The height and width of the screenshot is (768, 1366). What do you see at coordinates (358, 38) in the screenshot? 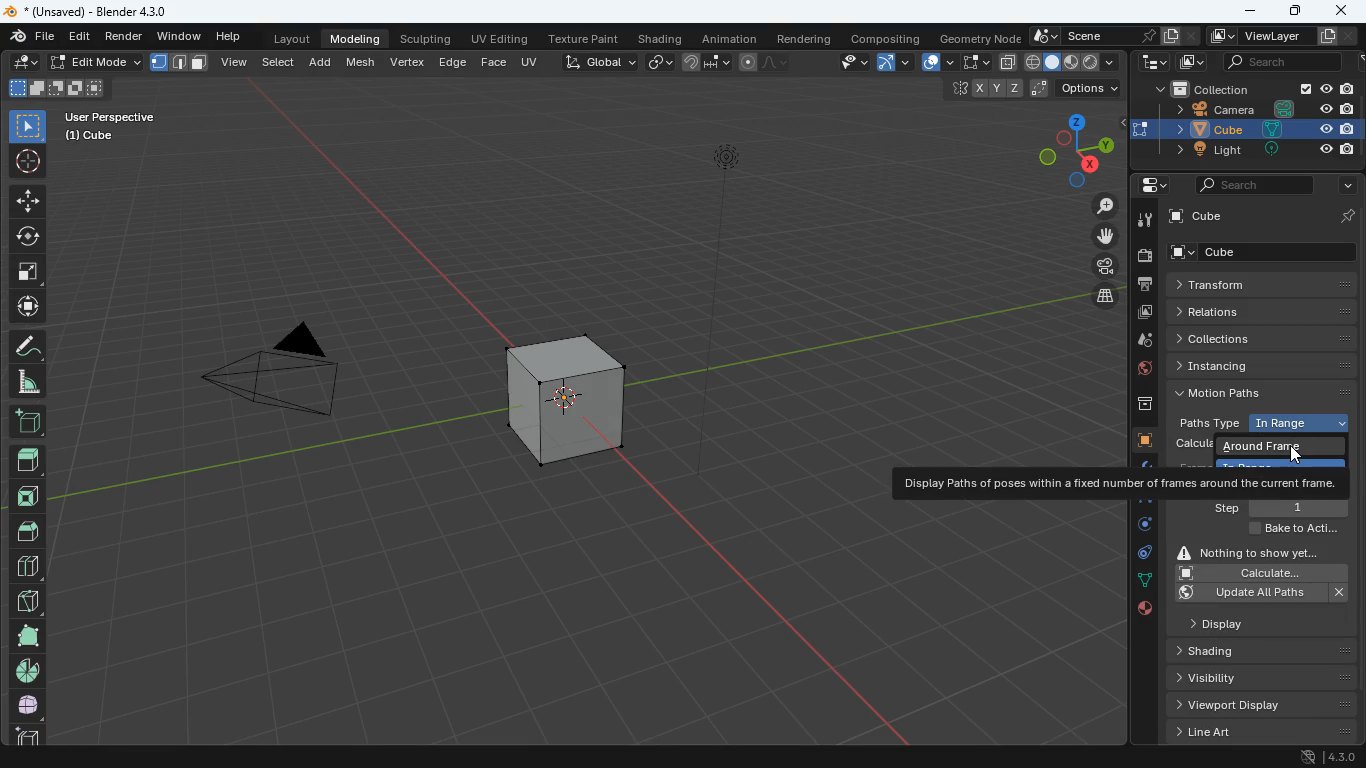
I see `modeling` at bounding box center [358, 38].